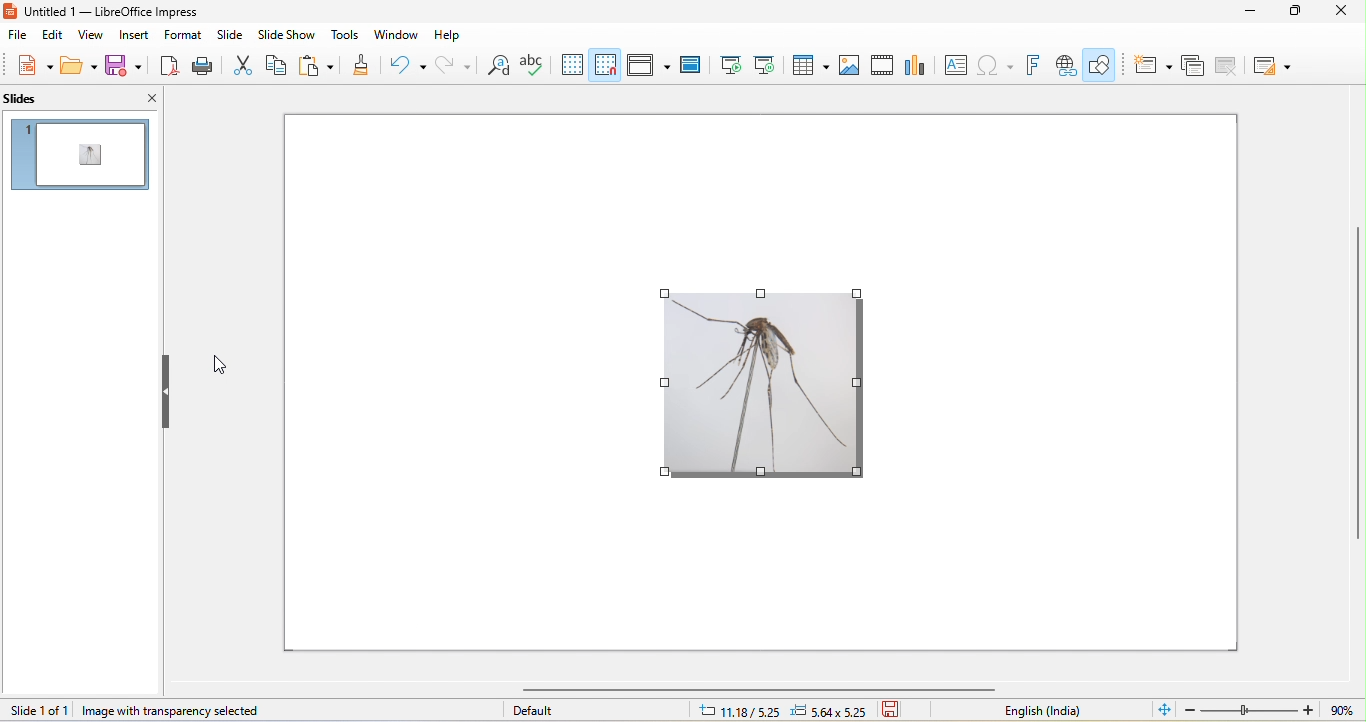 This screenshot has width=1366, height=722. What do you see at coordinates (81, 155) in the screenshot?
I see `slide preview in slide pane` at bounding box center [81, 155].